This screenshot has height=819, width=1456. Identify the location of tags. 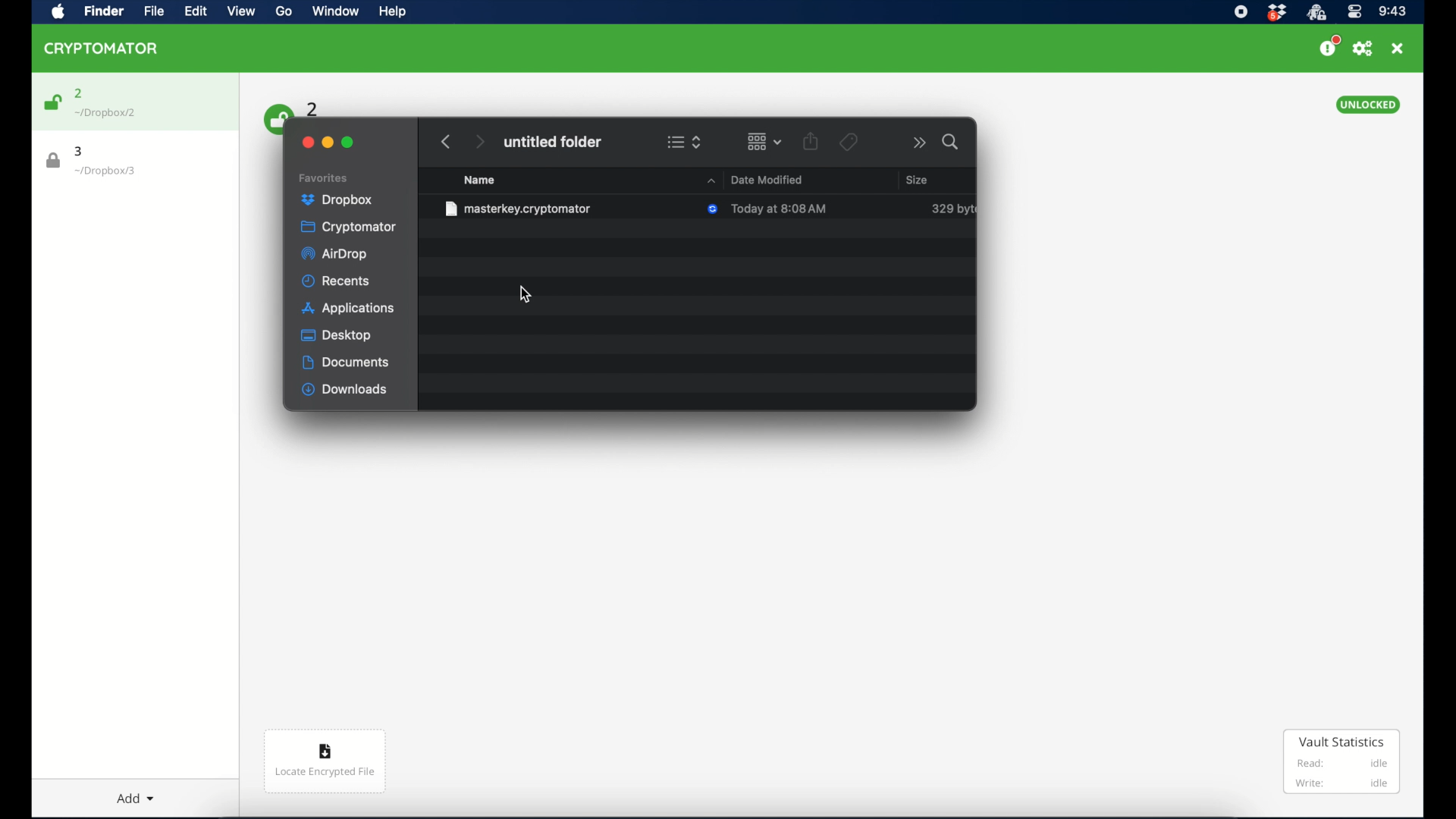
(848, 142).